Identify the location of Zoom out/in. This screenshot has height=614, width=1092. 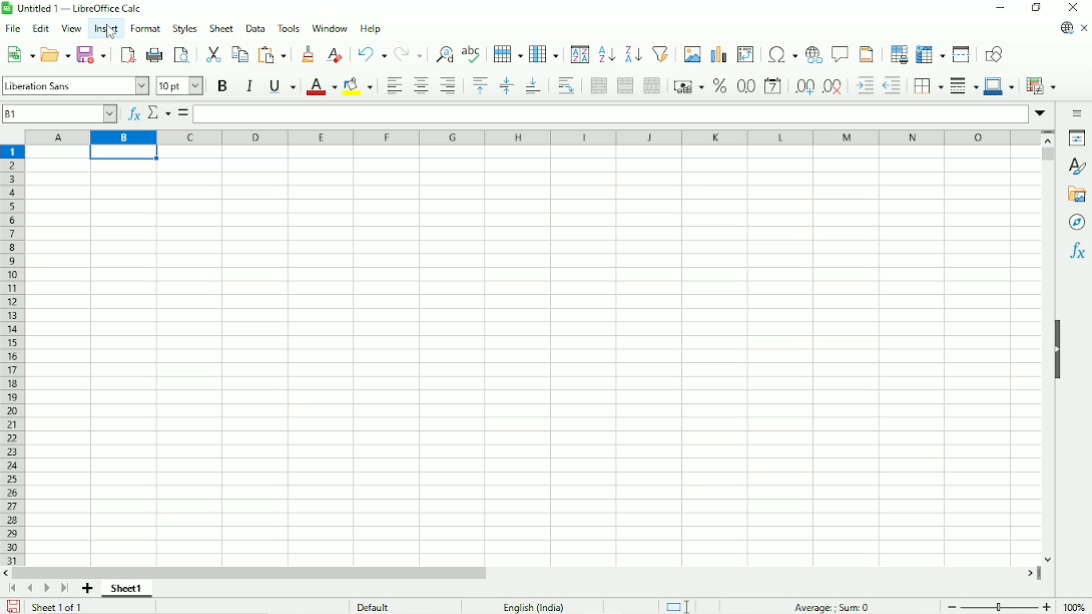
(1000, 604).